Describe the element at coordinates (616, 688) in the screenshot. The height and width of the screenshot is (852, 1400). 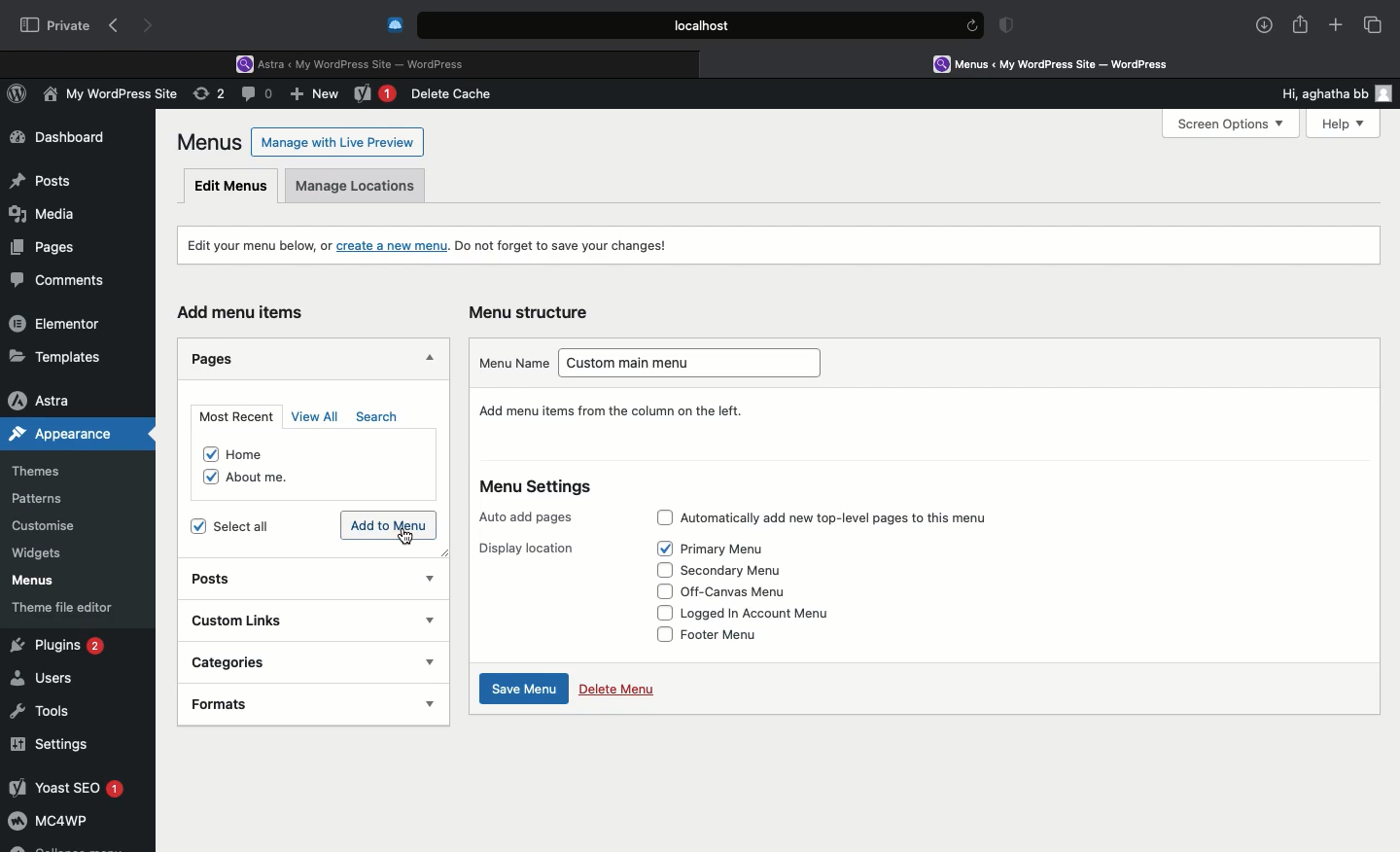
I see `Delete menu` at that location.